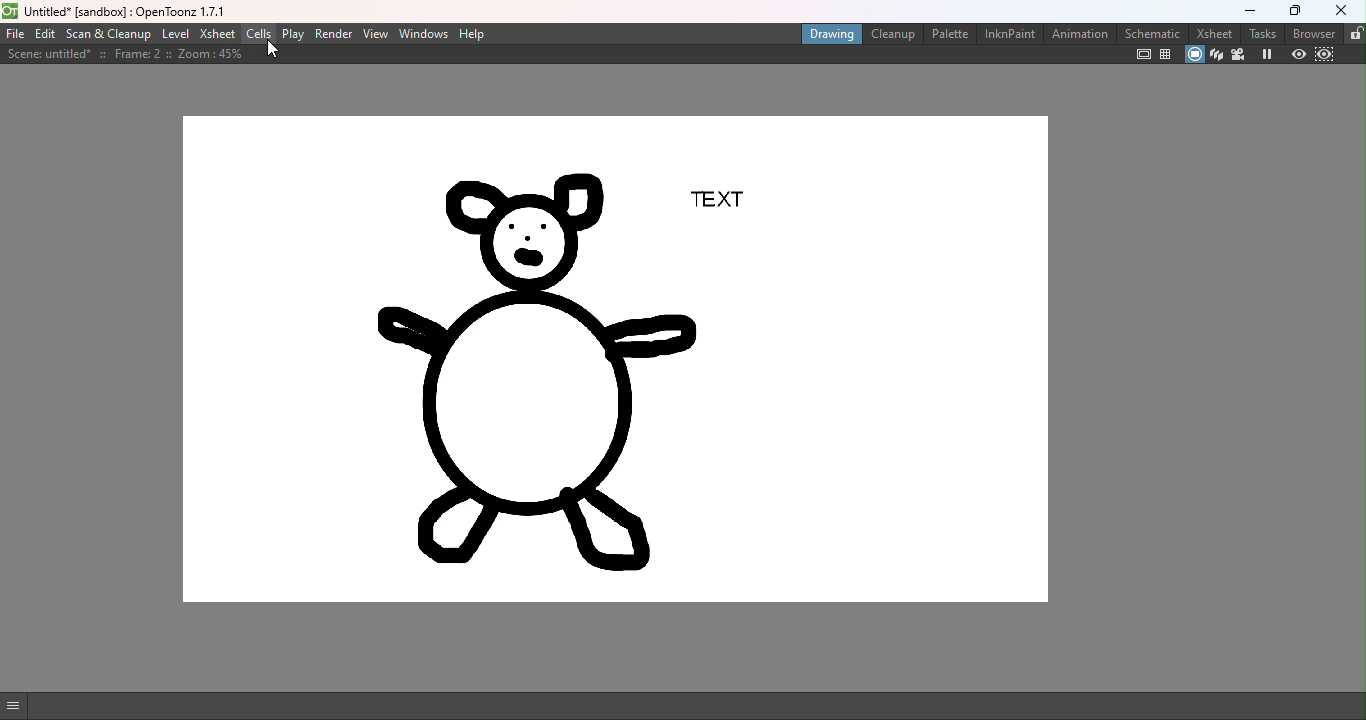 The height and width of the screenshot is (720, 1366). What do you see at coordinates (1211, 33) in the screenshot?
I see `Xsheet` at bounding box center [1211, 33].